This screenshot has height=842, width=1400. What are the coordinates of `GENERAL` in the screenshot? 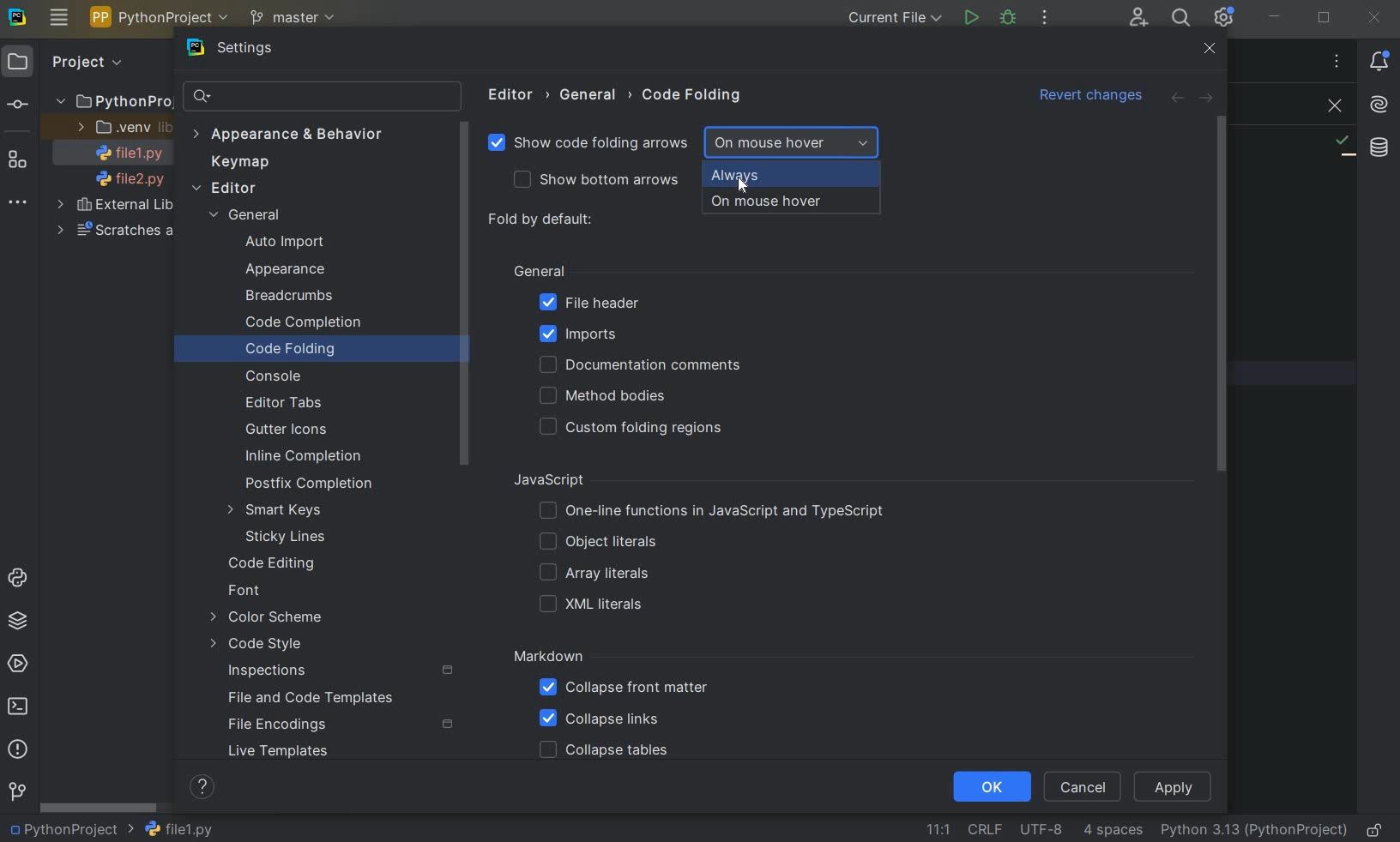 It's located at (539, 269).